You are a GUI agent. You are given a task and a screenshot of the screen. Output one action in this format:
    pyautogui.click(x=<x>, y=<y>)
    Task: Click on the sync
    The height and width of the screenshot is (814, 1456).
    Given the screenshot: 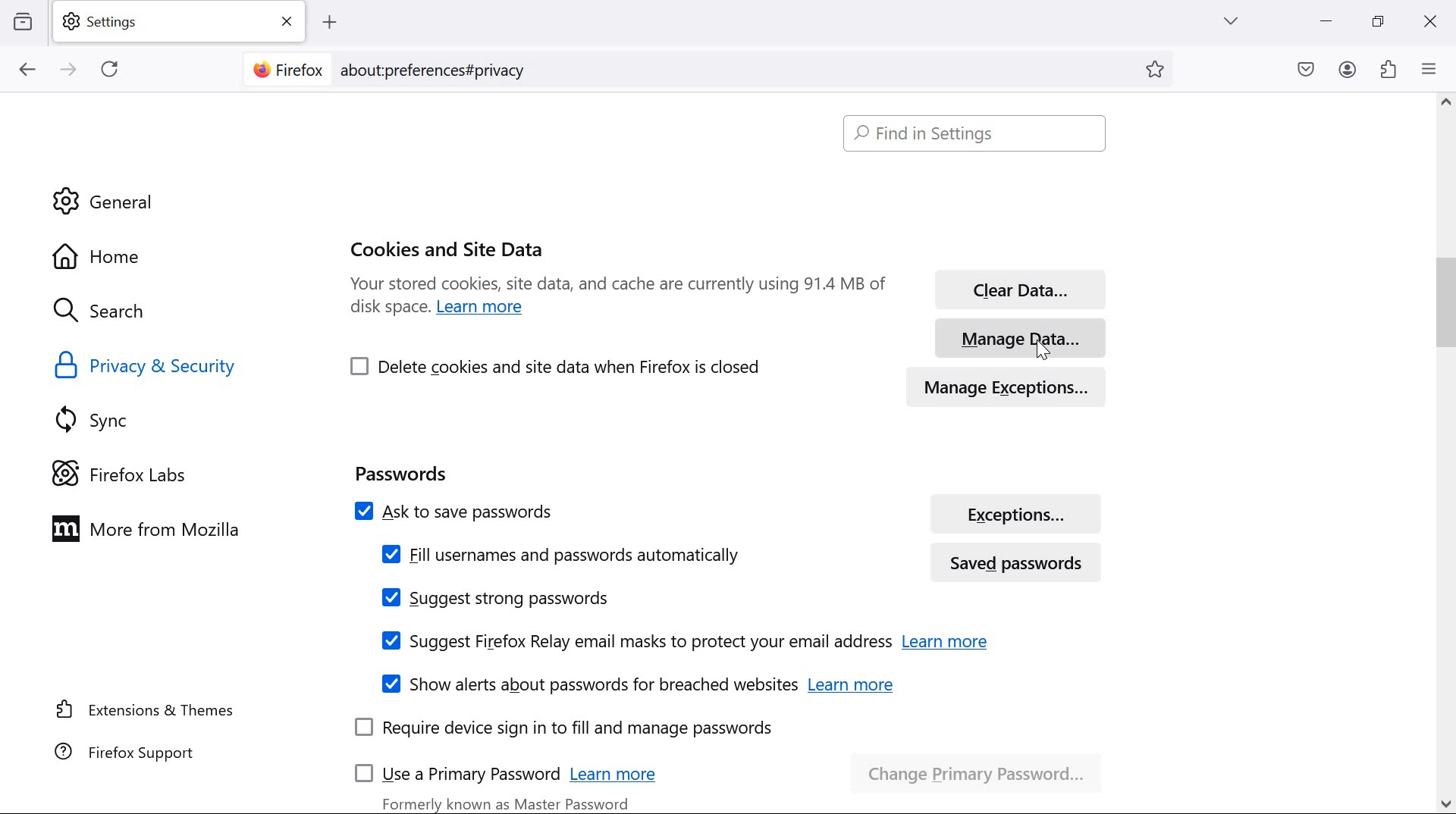 What is the action you would take?
    pyautogui.click(x=99, y=419)
    